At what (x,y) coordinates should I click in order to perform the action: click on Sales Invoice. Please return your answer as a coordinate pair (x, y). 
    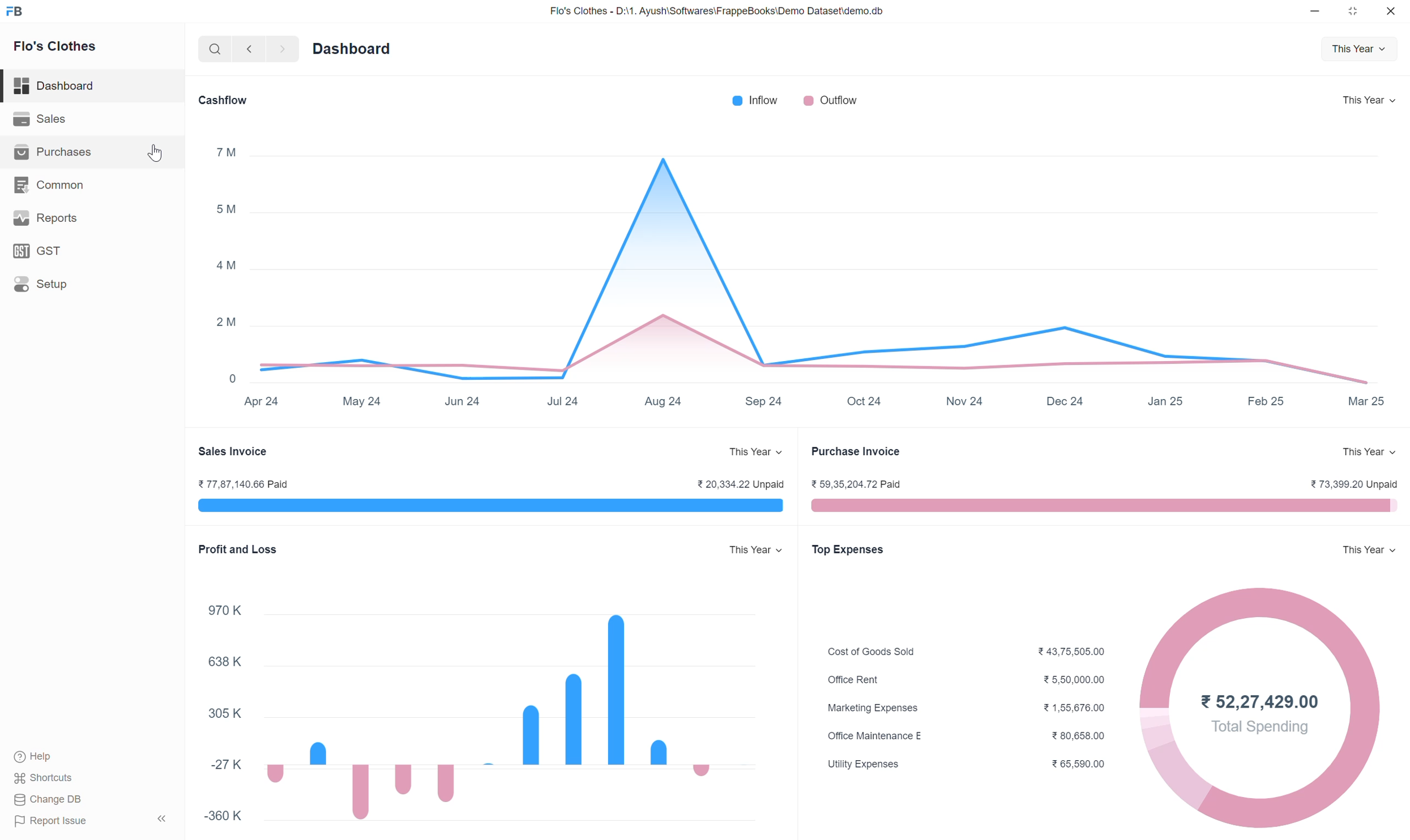
    Looking at the image, I should click on (239, 452).